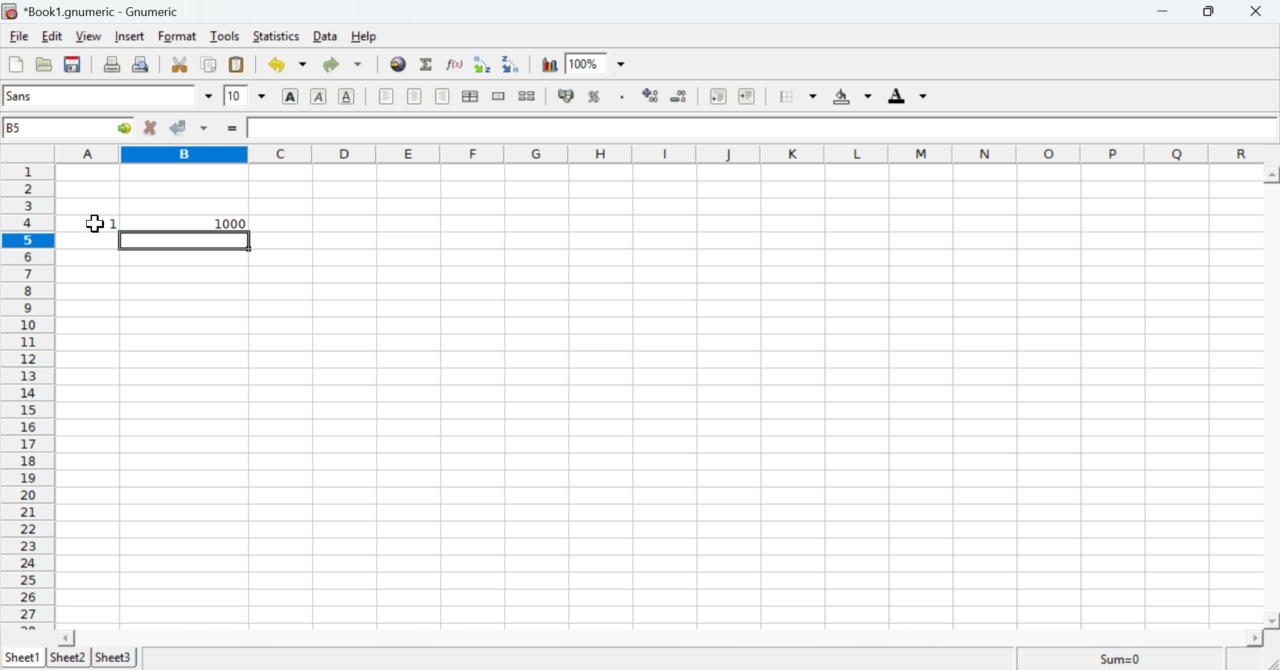 This screenshot has height=670, width=1280. I want to click on =, so click(231, 130).